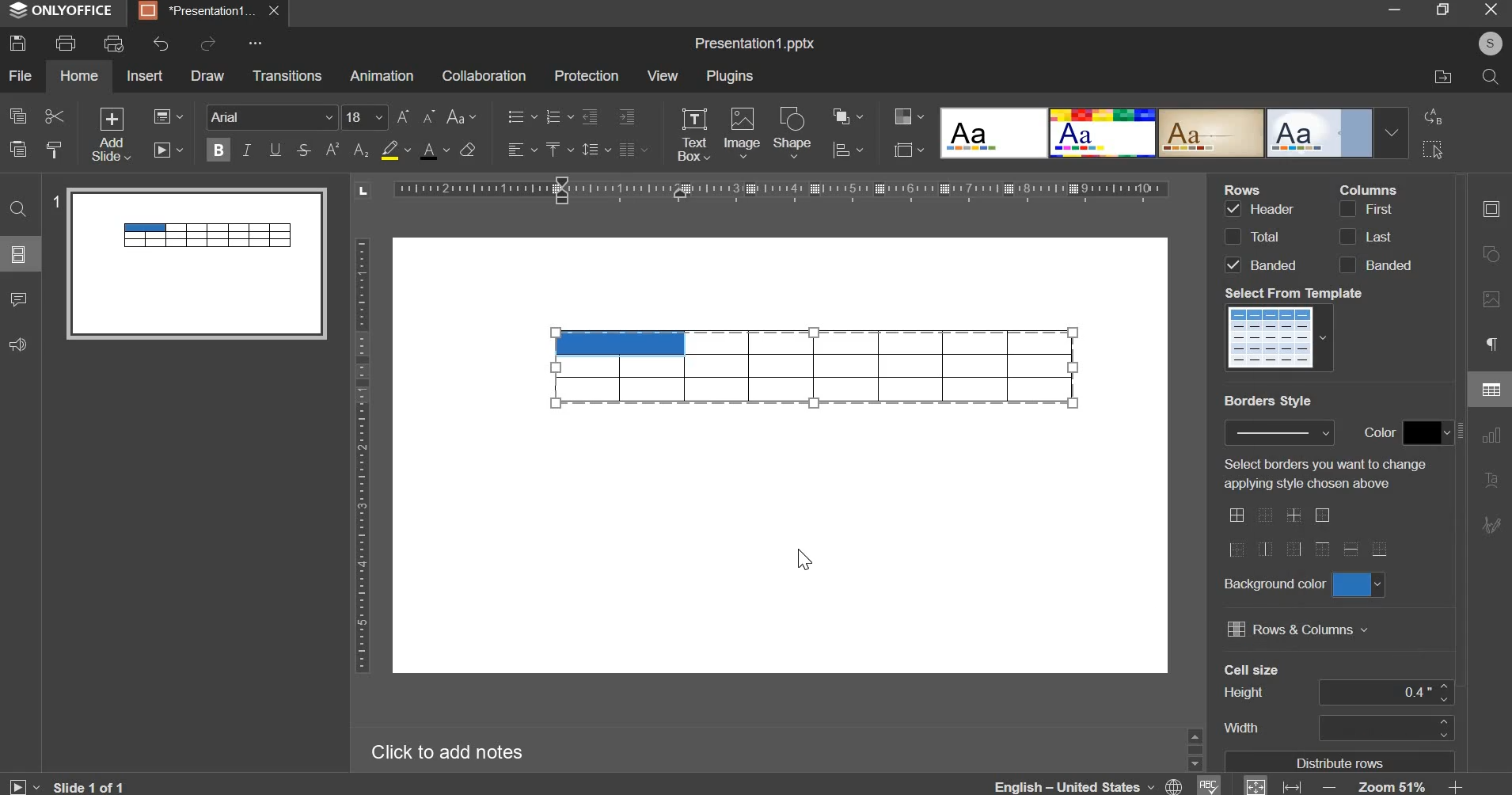 This screenshot has width=1512, height=795. What do you see at coordinates (521, 150) in the screenshot?
I see `horizontal alignment` at bounding box center [521, 150].